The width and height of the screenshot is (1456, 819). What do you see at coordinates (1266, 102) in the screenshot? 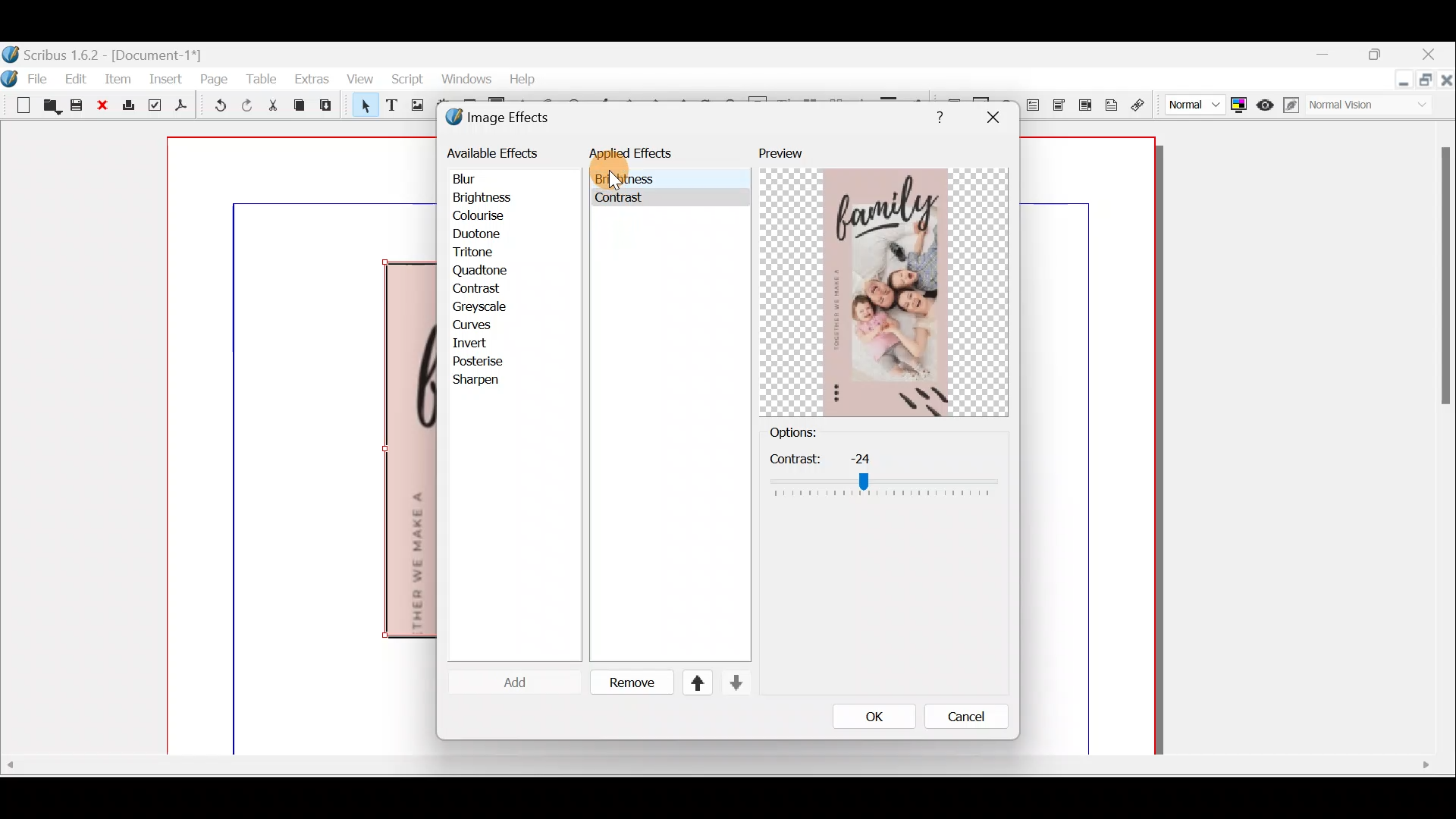
I see `Preview mode` at bounding box center [1266, 102].